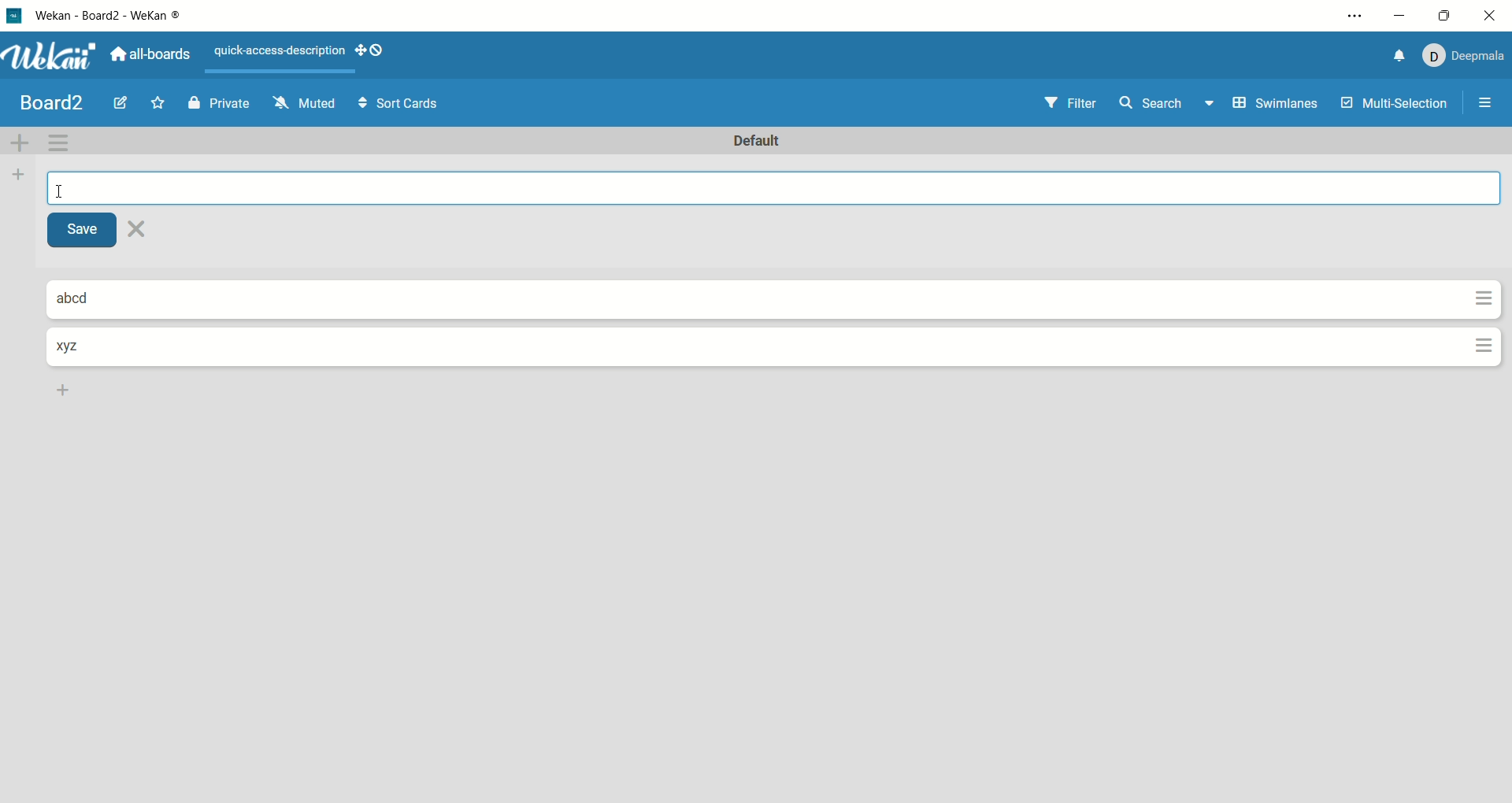  What do you see at coordinates (22, 140) in the screenshot?
I see `add swimlane` at bounding box center [22, 140].